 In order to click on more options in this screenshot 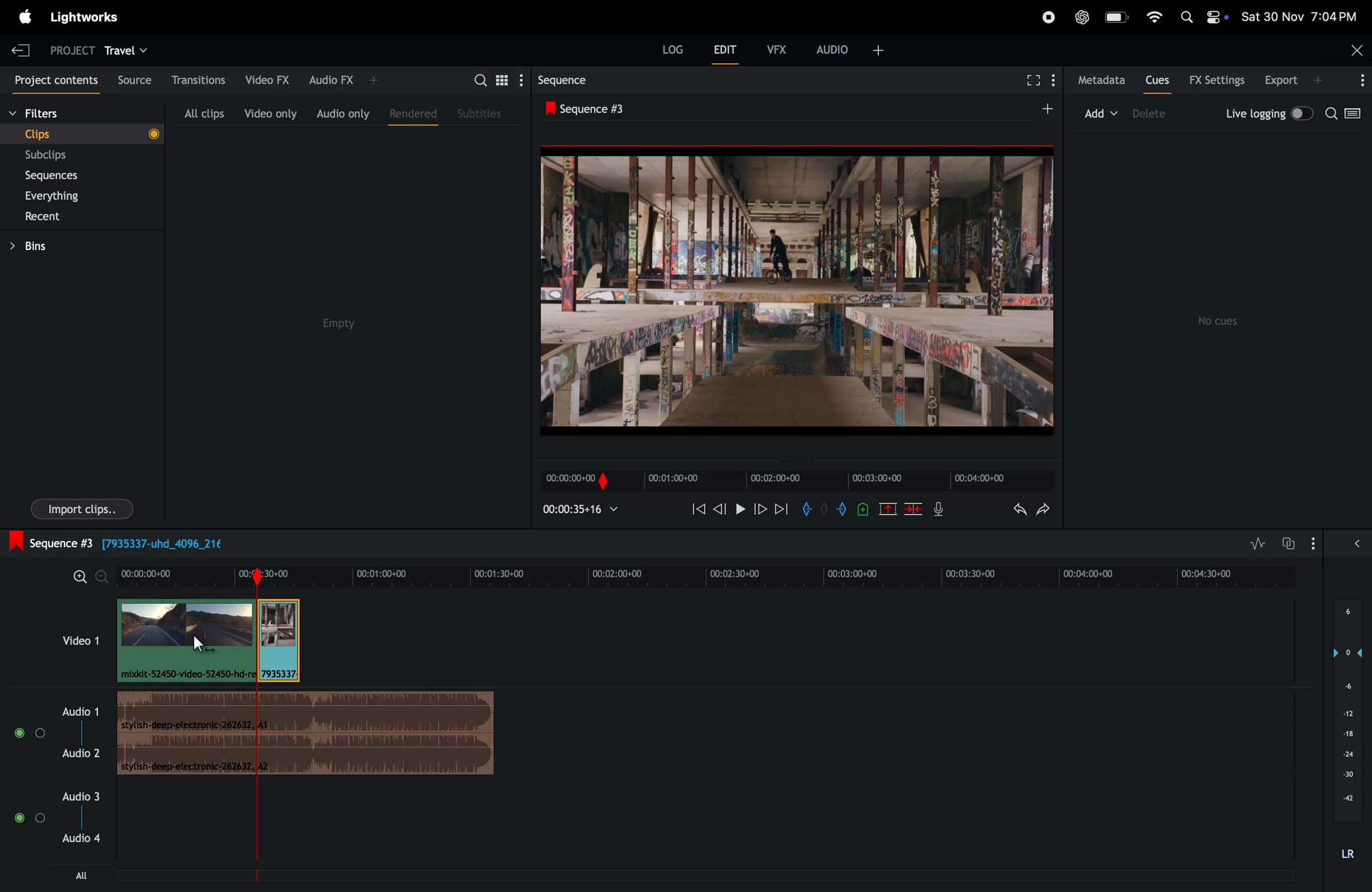, I will do `click(1356, 81)`.